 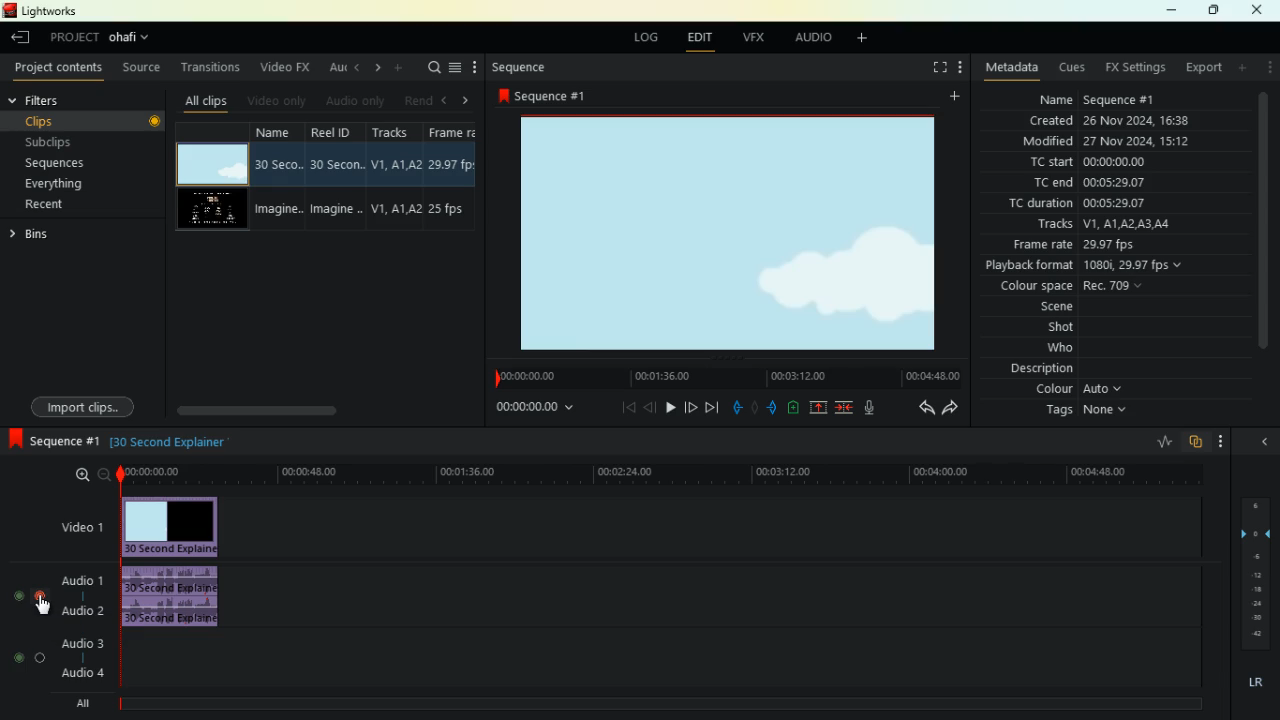 What do you see at coordinates (1067, 348) in the screenshot?
I see `who` at bounding box center [1067, 348].